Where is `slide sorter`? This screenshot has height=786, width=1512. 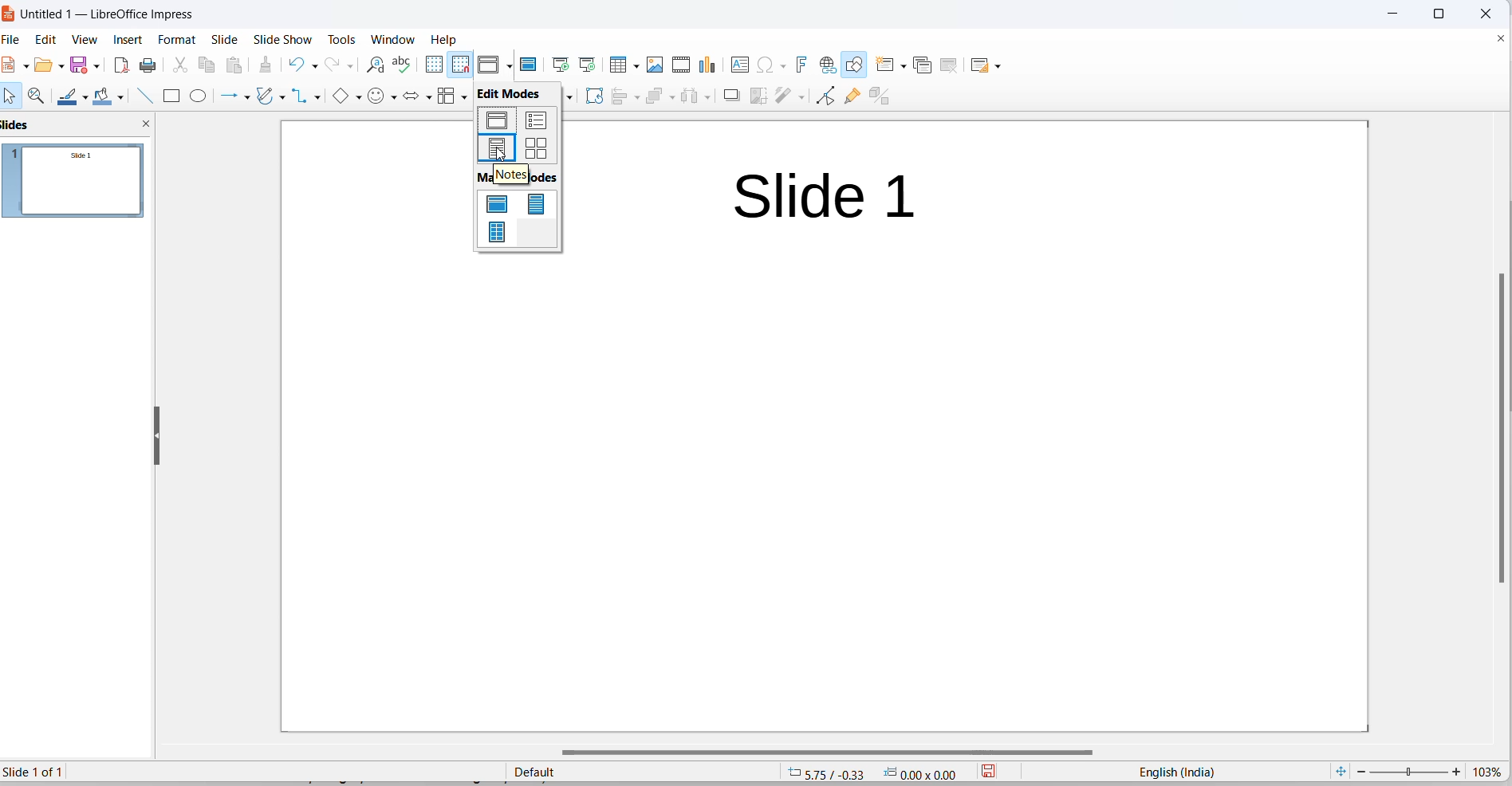 slide sorter is located at coordinates (539, 148).